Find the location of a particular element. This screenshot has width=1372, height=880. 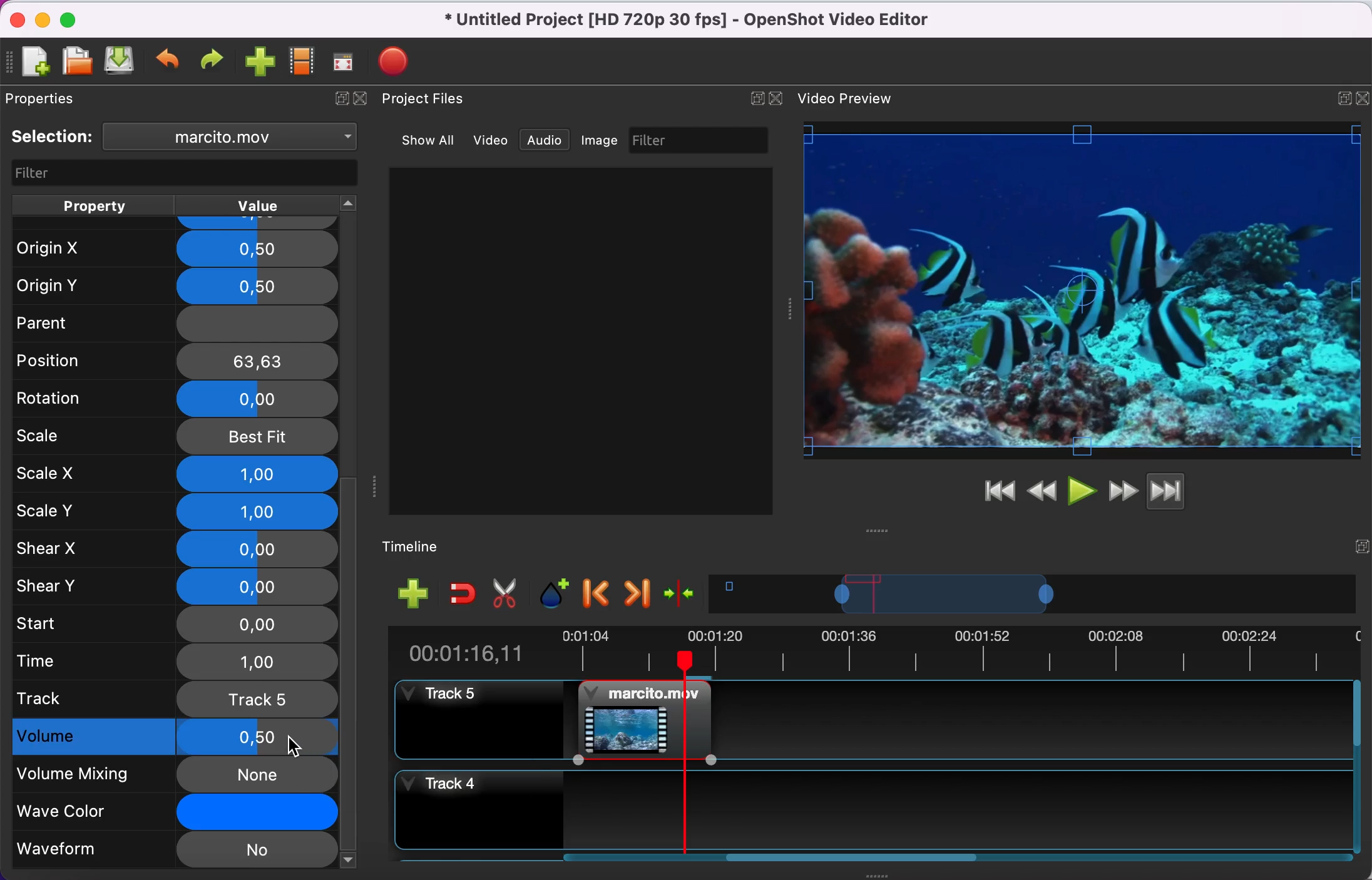

previous marker is located at coordinates (597, 595).